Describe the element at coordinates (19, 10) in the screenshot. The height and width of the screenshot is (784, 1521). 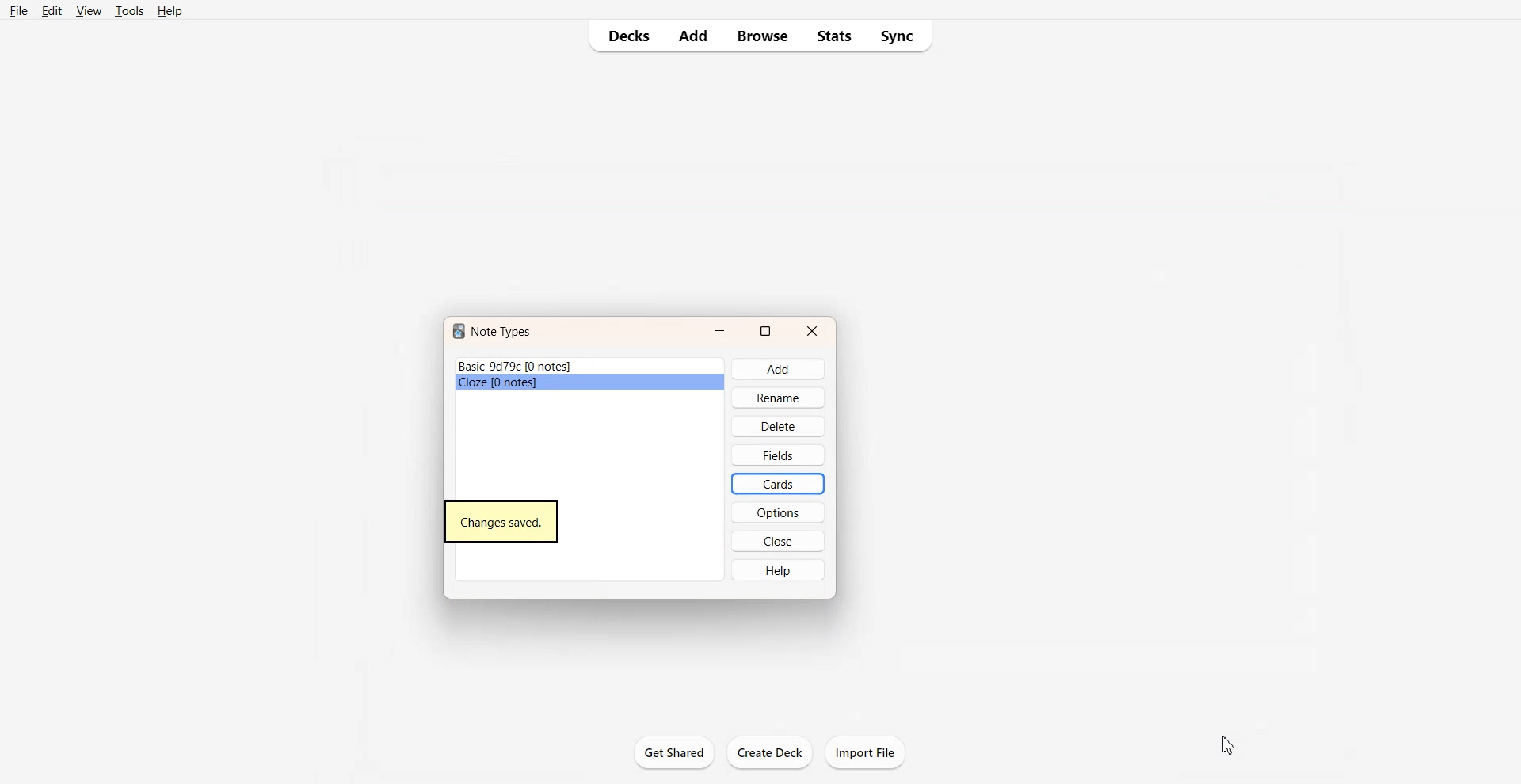
I see `File` at that location.